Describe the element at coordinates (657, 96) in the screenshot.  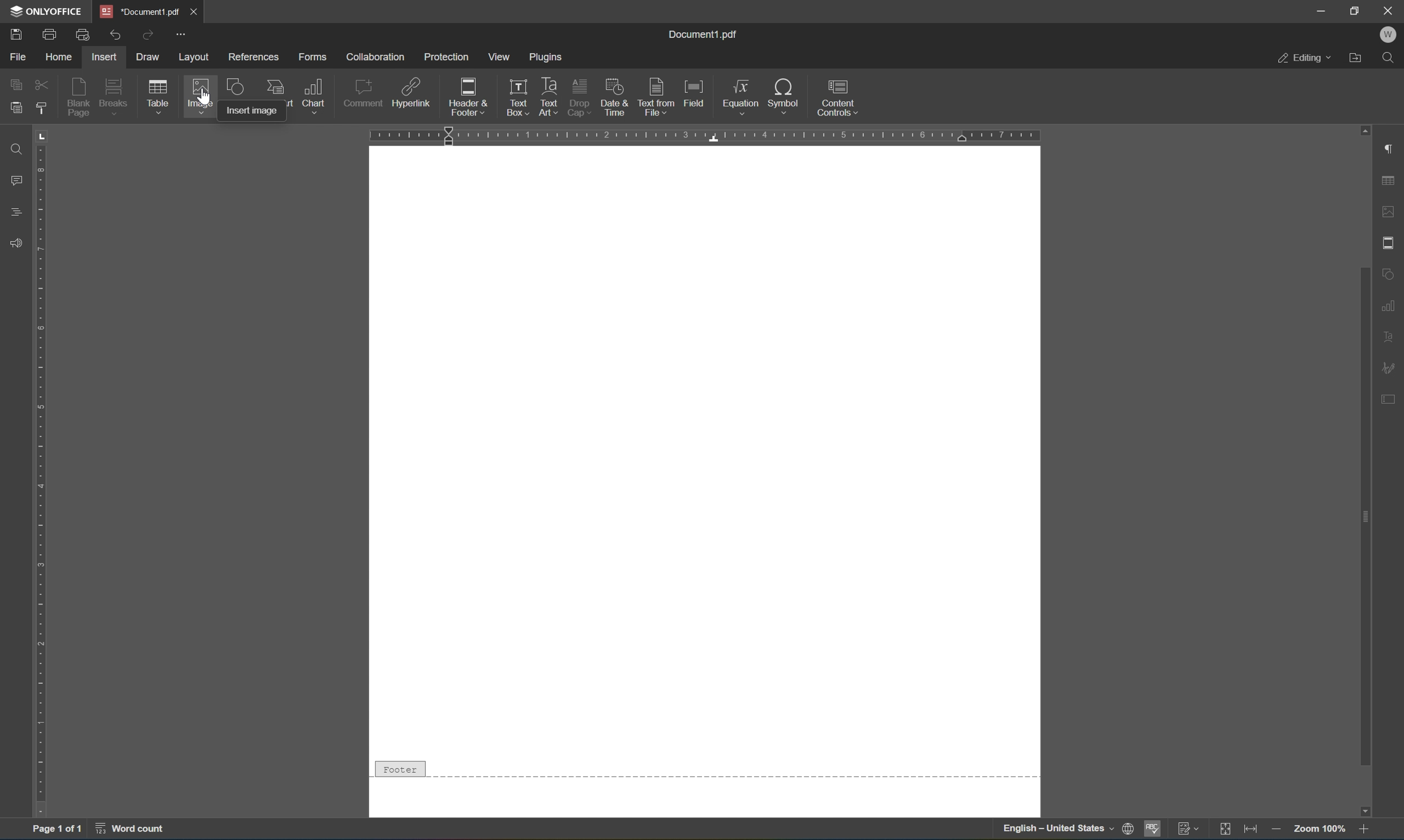
I see `text from file` at that location.